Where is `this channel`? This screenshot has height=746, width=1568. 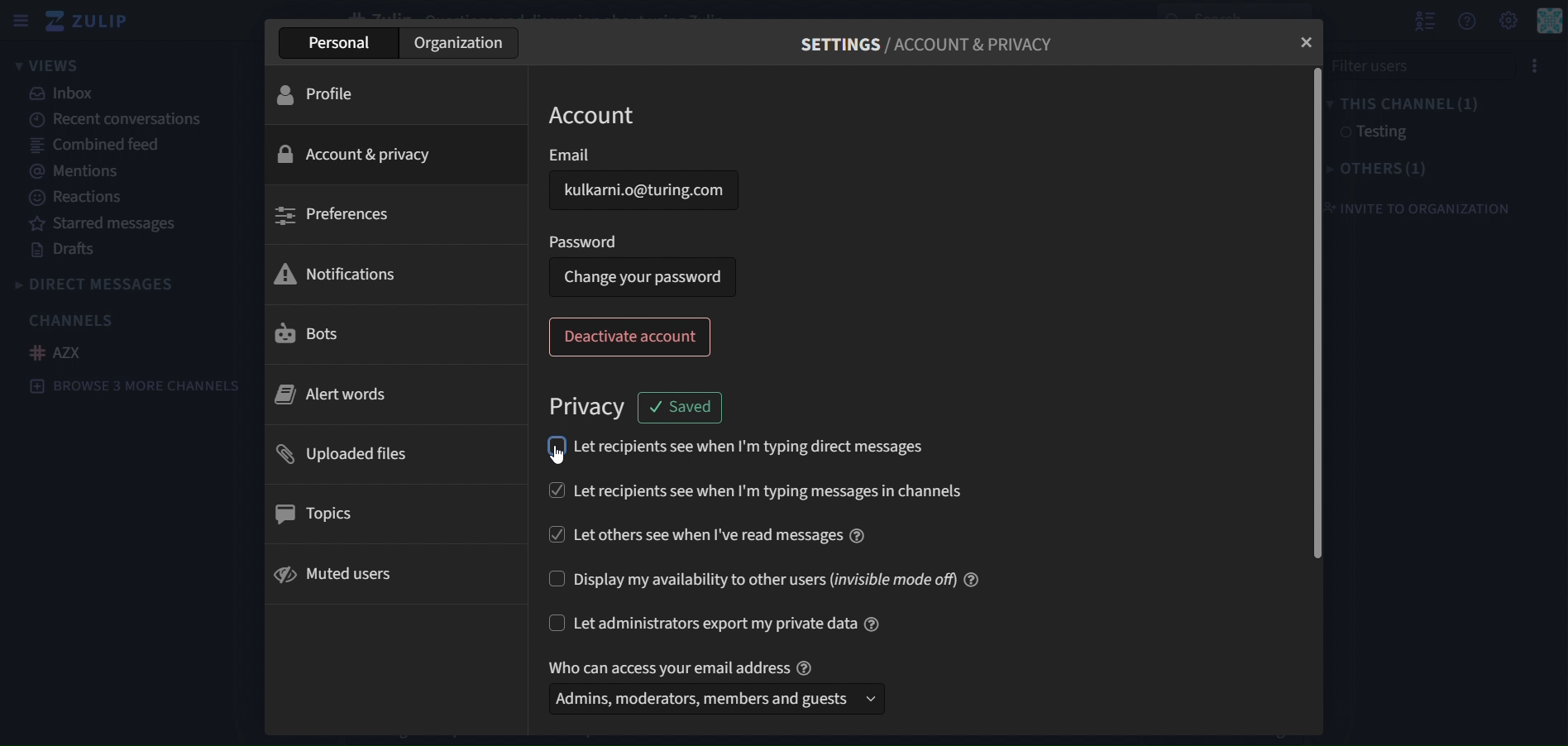
this channel is located at coordinates (1404, 106).